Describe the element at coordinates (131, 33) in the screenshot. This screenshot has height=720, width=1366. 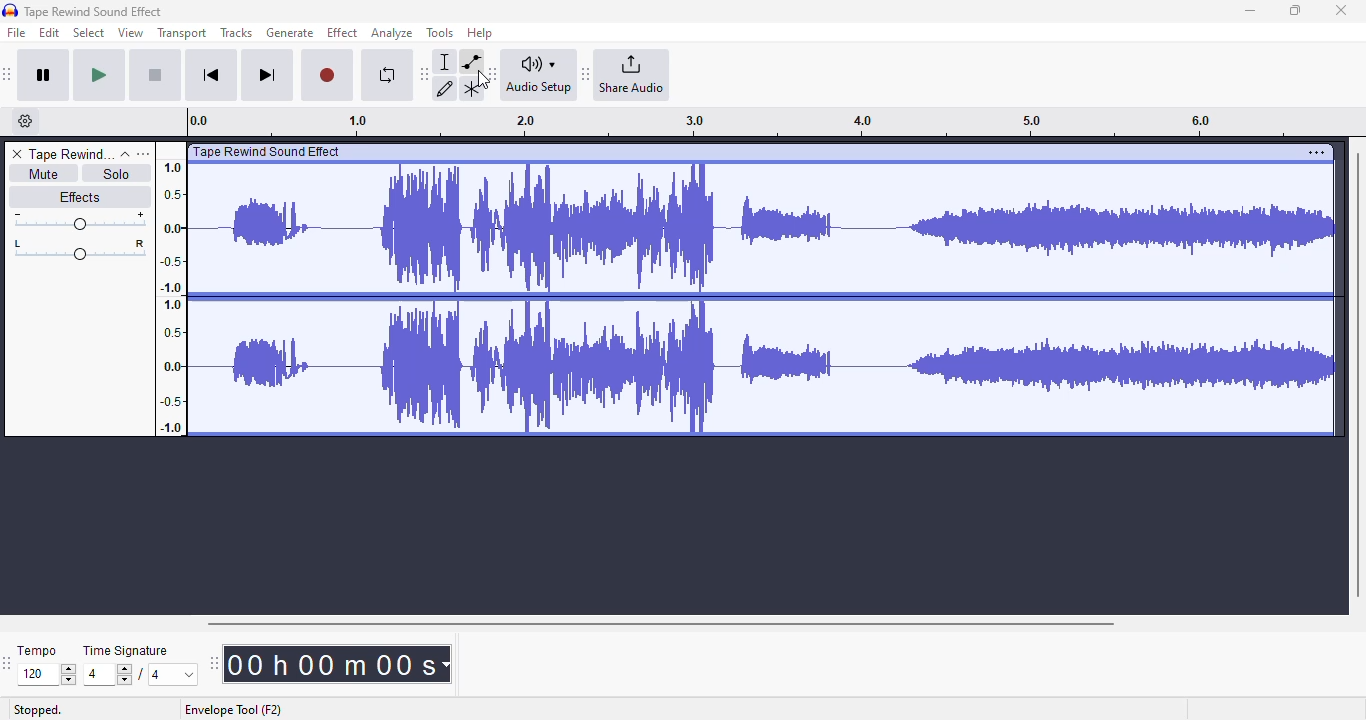
I see `view` at that location.